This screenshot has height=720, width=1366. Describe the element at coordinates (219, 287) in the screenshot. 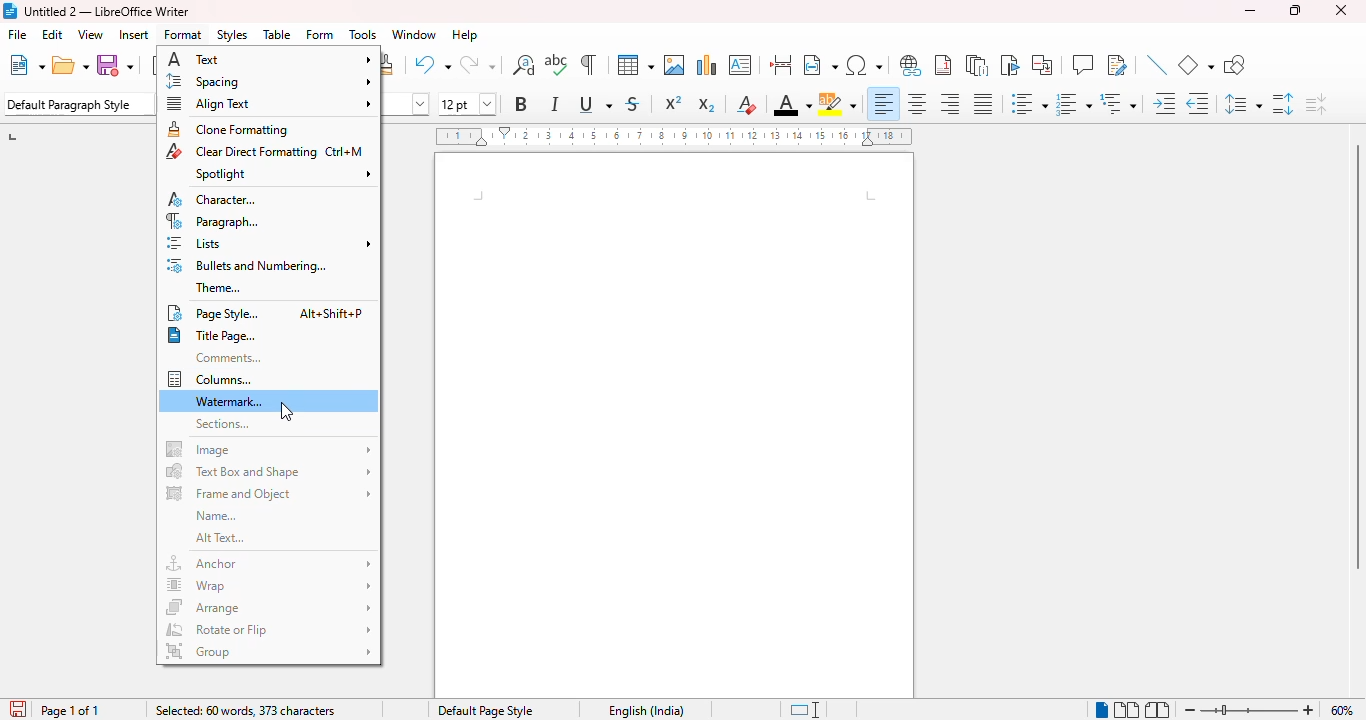

I see `theme` at that location.